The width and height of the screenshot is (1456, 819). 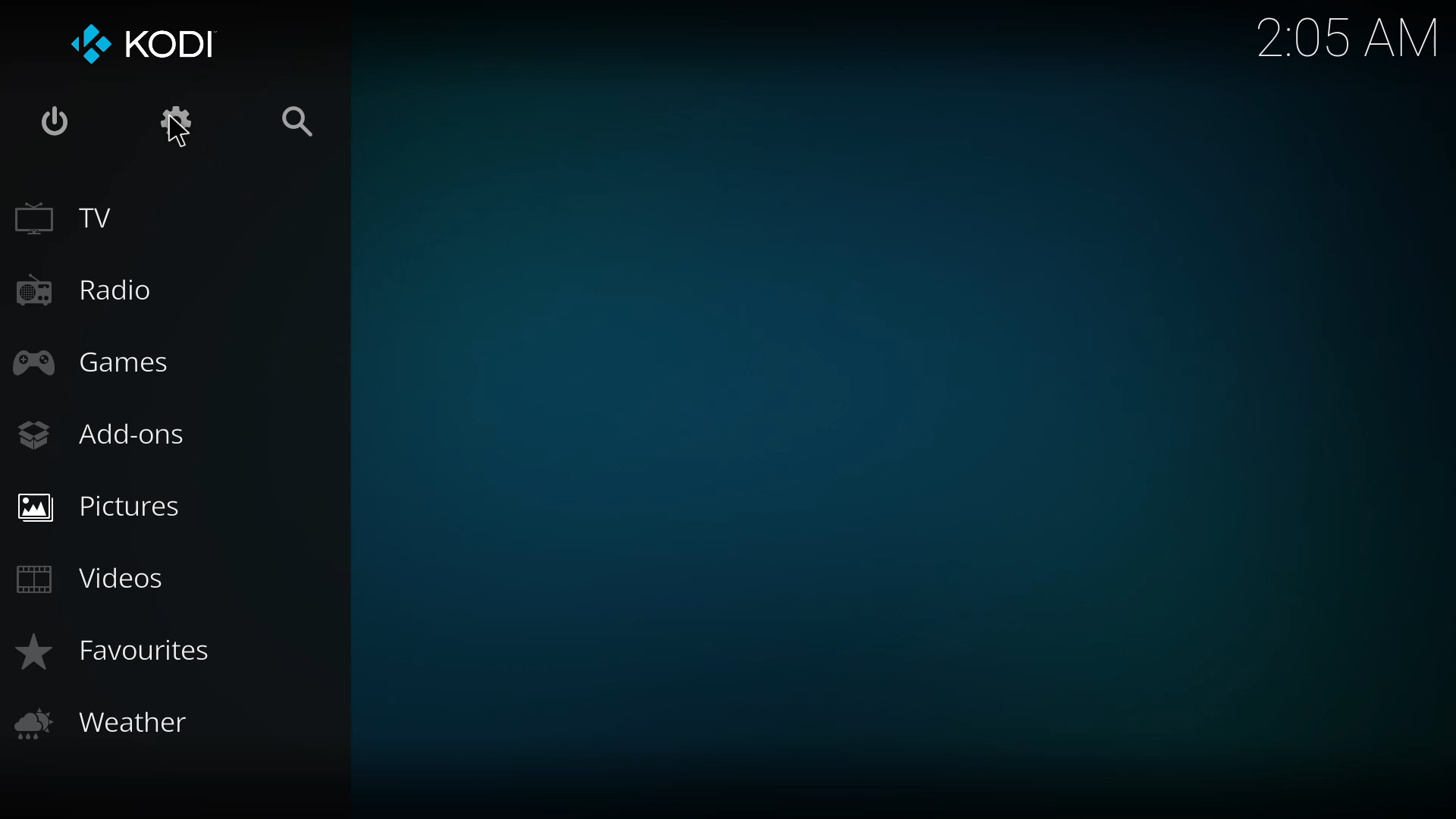 I want to click on radio, so click(x=99, y=293).